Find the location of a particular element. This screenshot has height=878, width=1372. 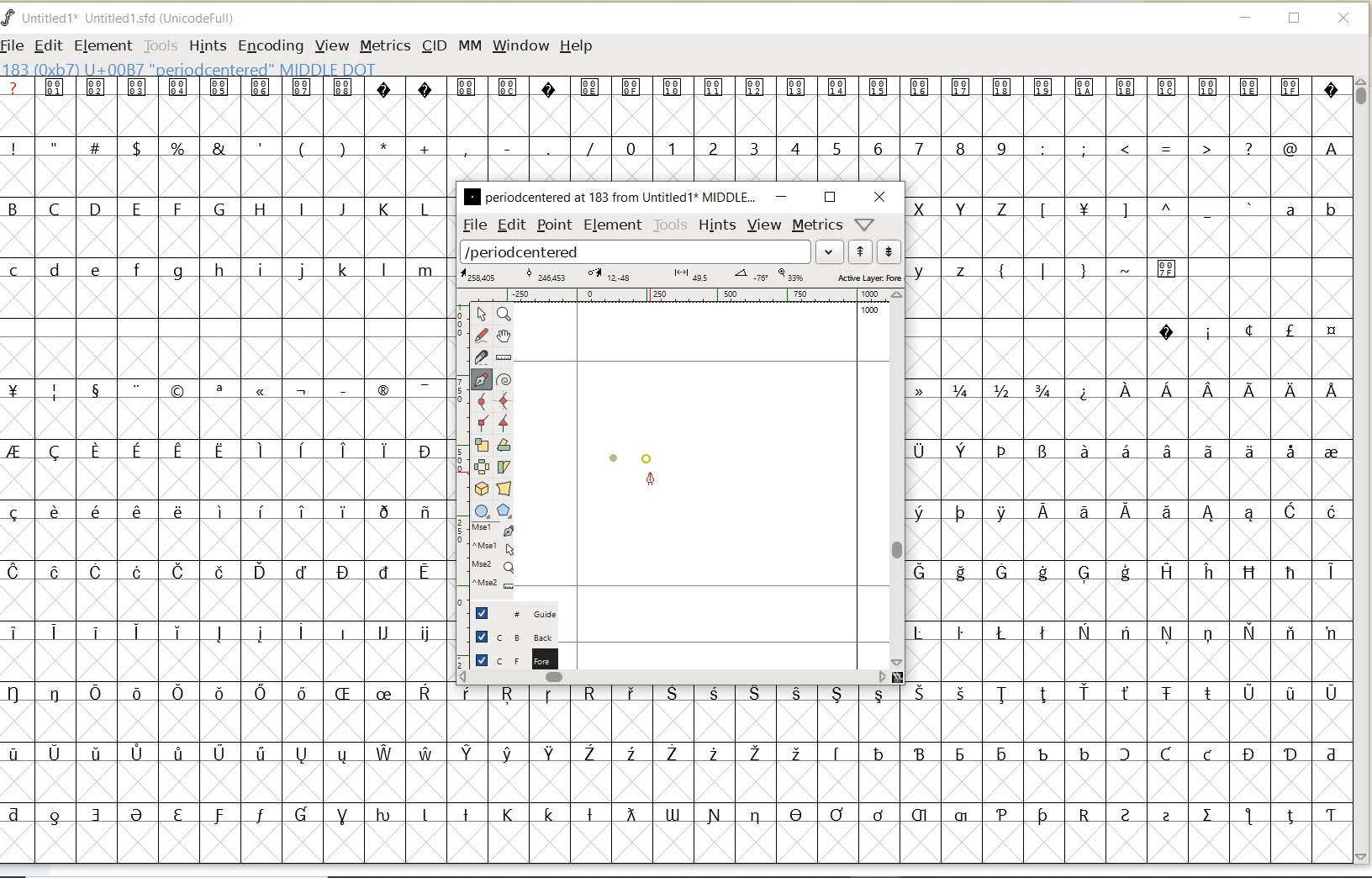

scrollbar is located at coordinates (673, 677).